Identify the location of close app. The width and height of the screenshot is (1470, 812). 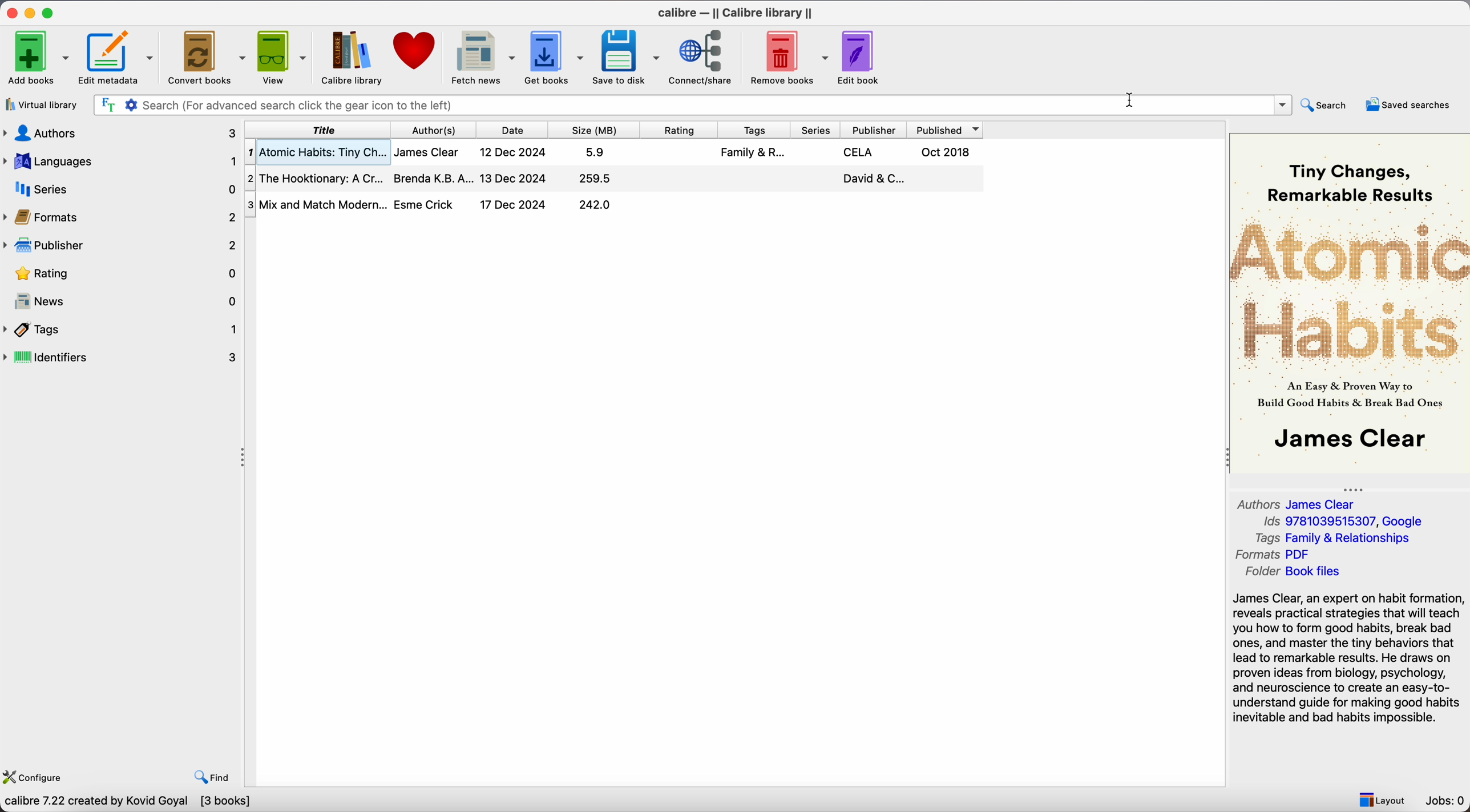
(11, 12).